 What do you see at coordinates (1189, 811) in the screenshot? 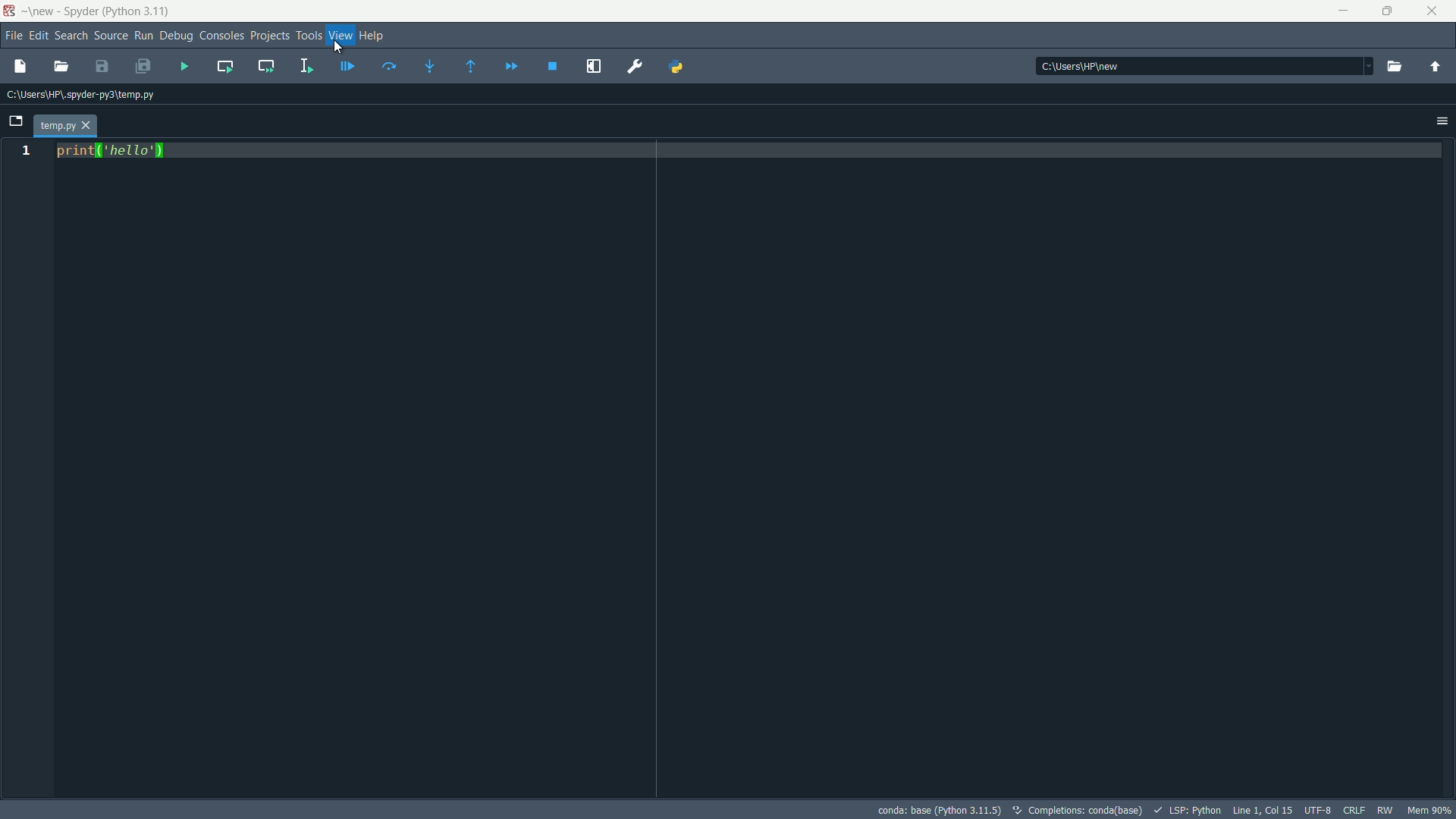
I see `LSP:Python` at bounding box center [1189, 811].